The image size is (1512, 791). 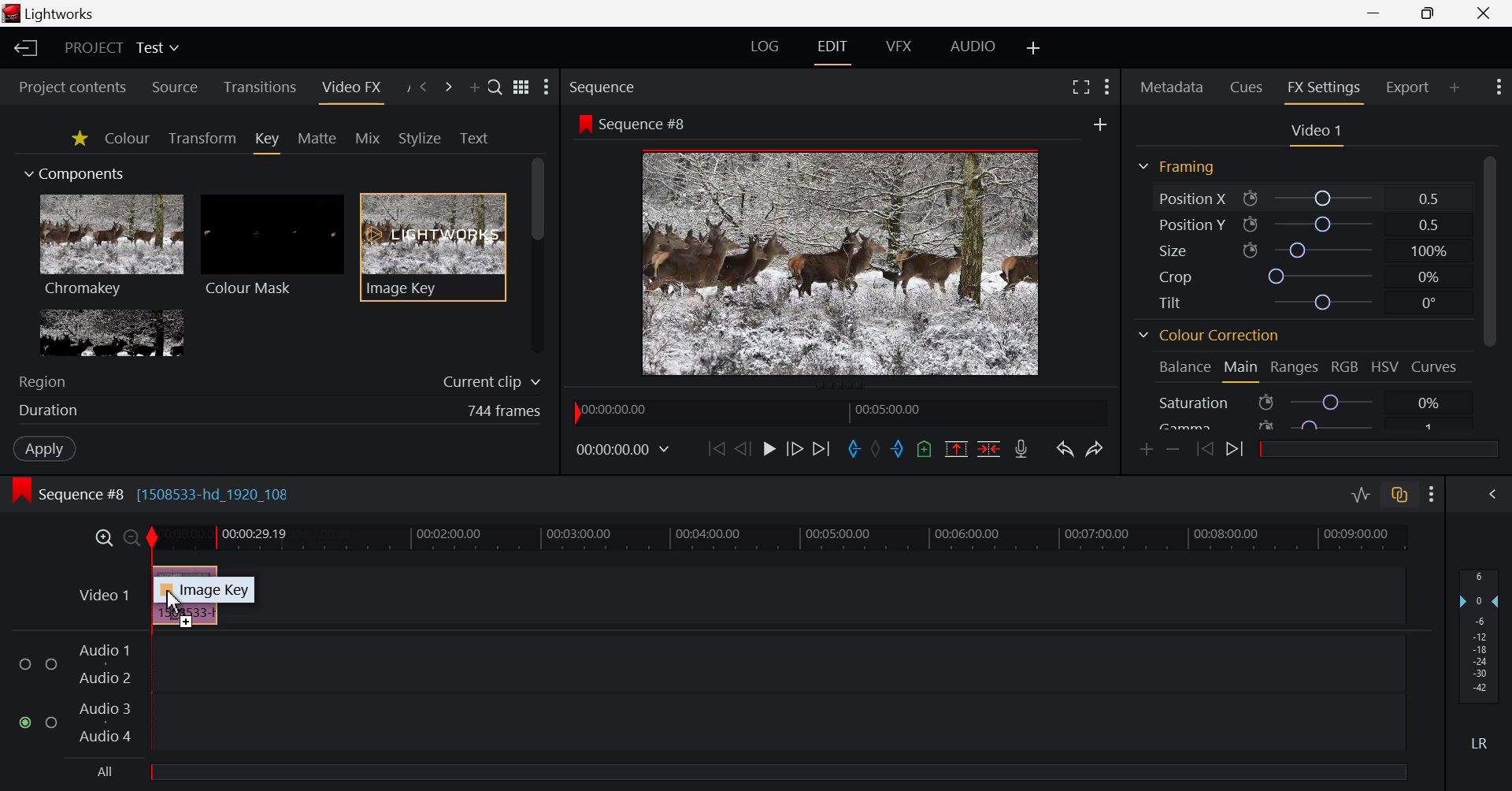 What do you see at coordinates (1332, 425) in the screenshot?
I see `Gamma` at bounding box center [1332, 425].